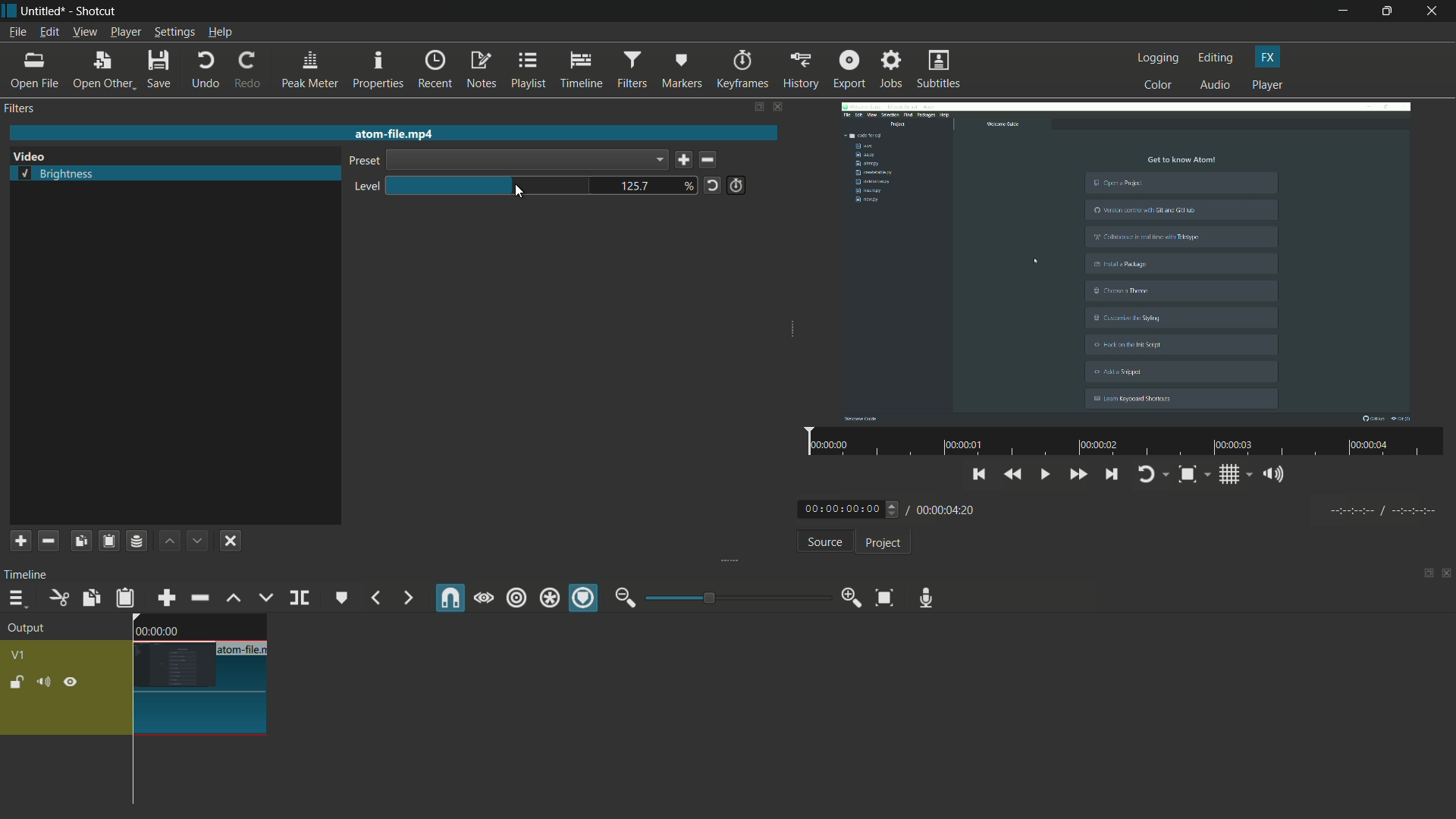  Describe the element at coordinates (136, 542) in the screenshot. I see `save a filter set` at that location.